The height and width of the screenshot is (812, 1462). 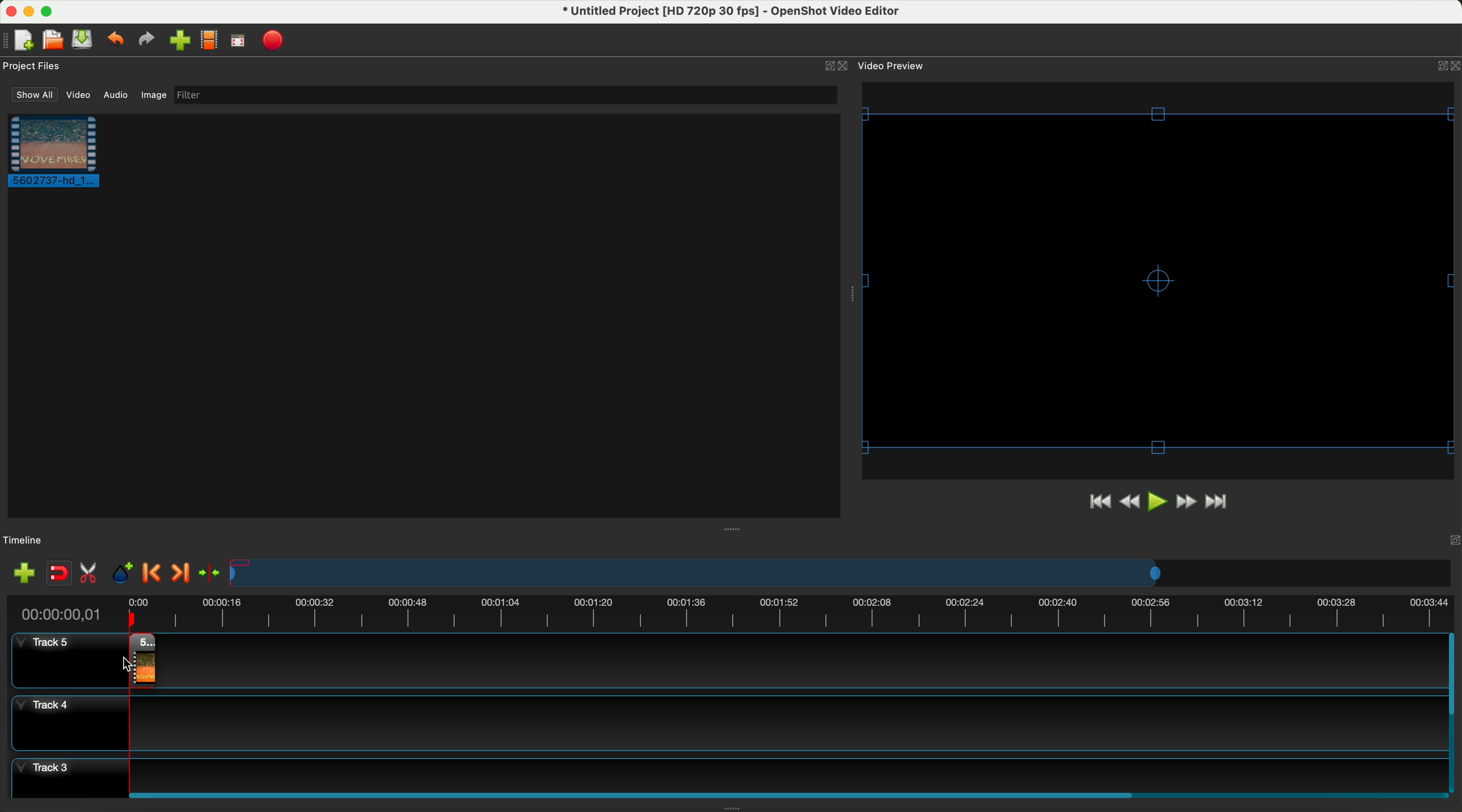 What do you see at coordinates (1156, 502) in the screenshot?
I see `play` at bounding box center [1156, 502].